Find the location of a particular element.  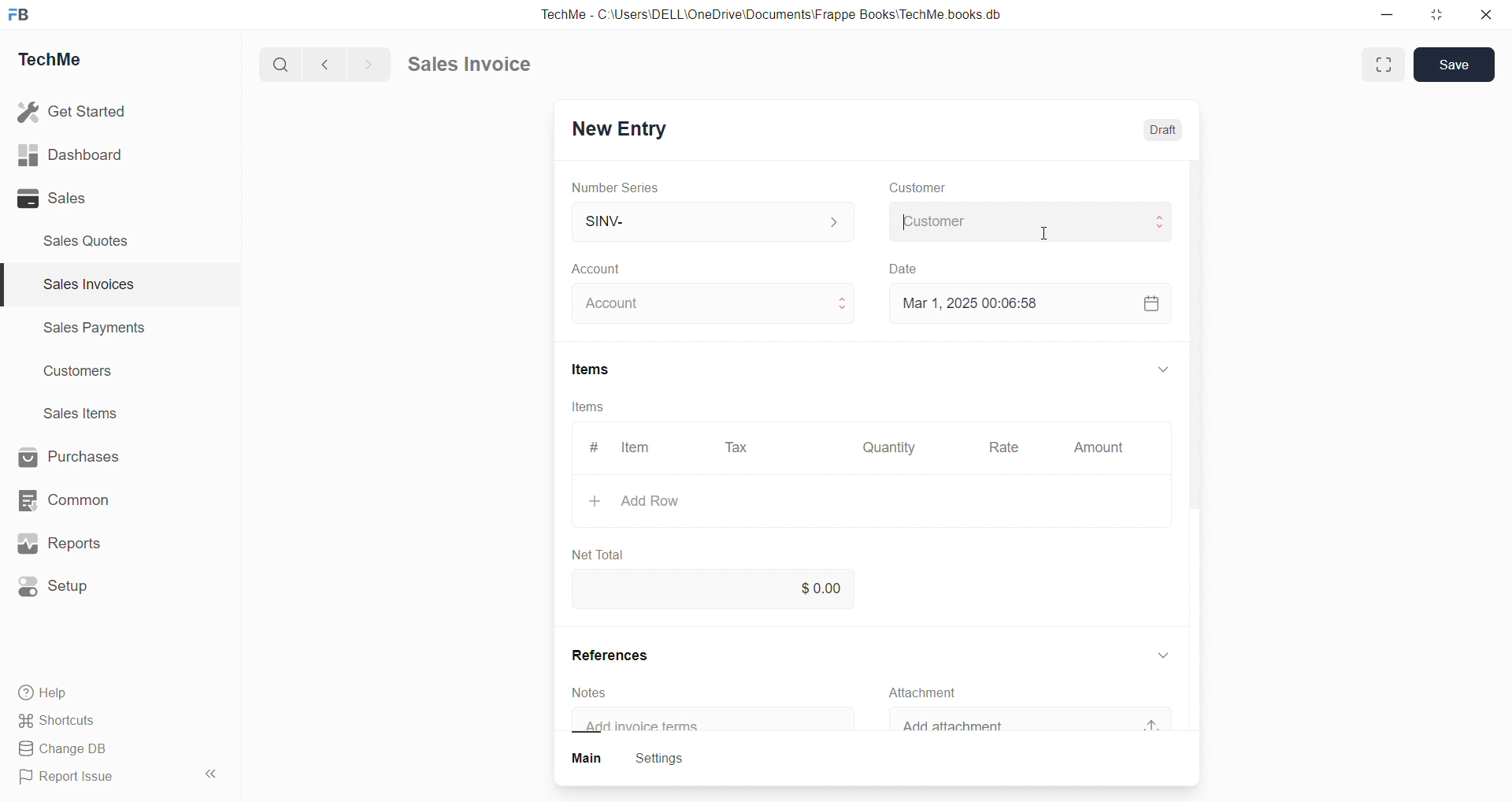

ull Dashboard is located at coordinates (78, 154).